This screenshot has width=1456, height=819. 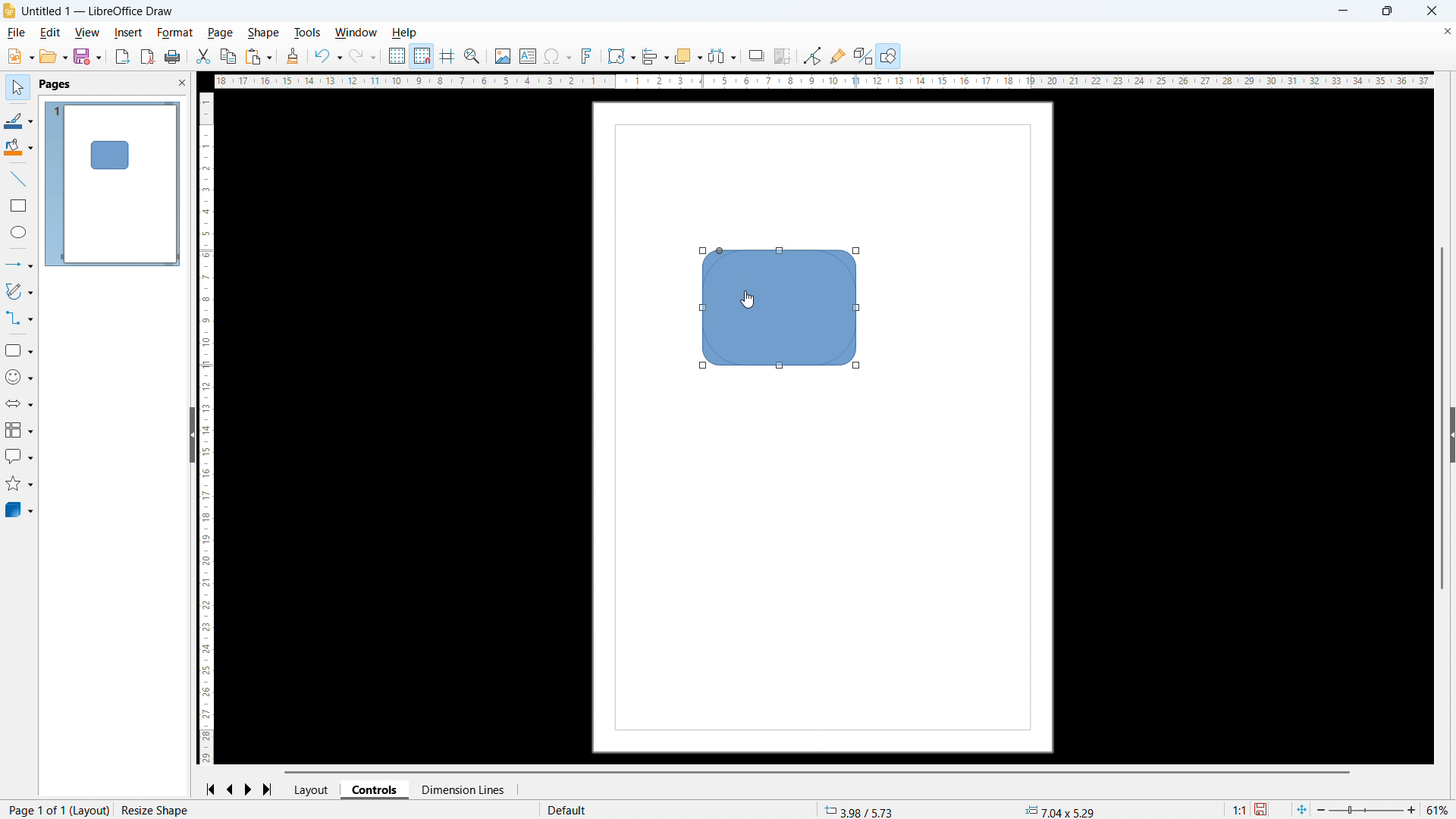 What do you see at coordinates (528, 55) in the screenshot?
I see `Insert text box ` at bounding box center [528, 55].